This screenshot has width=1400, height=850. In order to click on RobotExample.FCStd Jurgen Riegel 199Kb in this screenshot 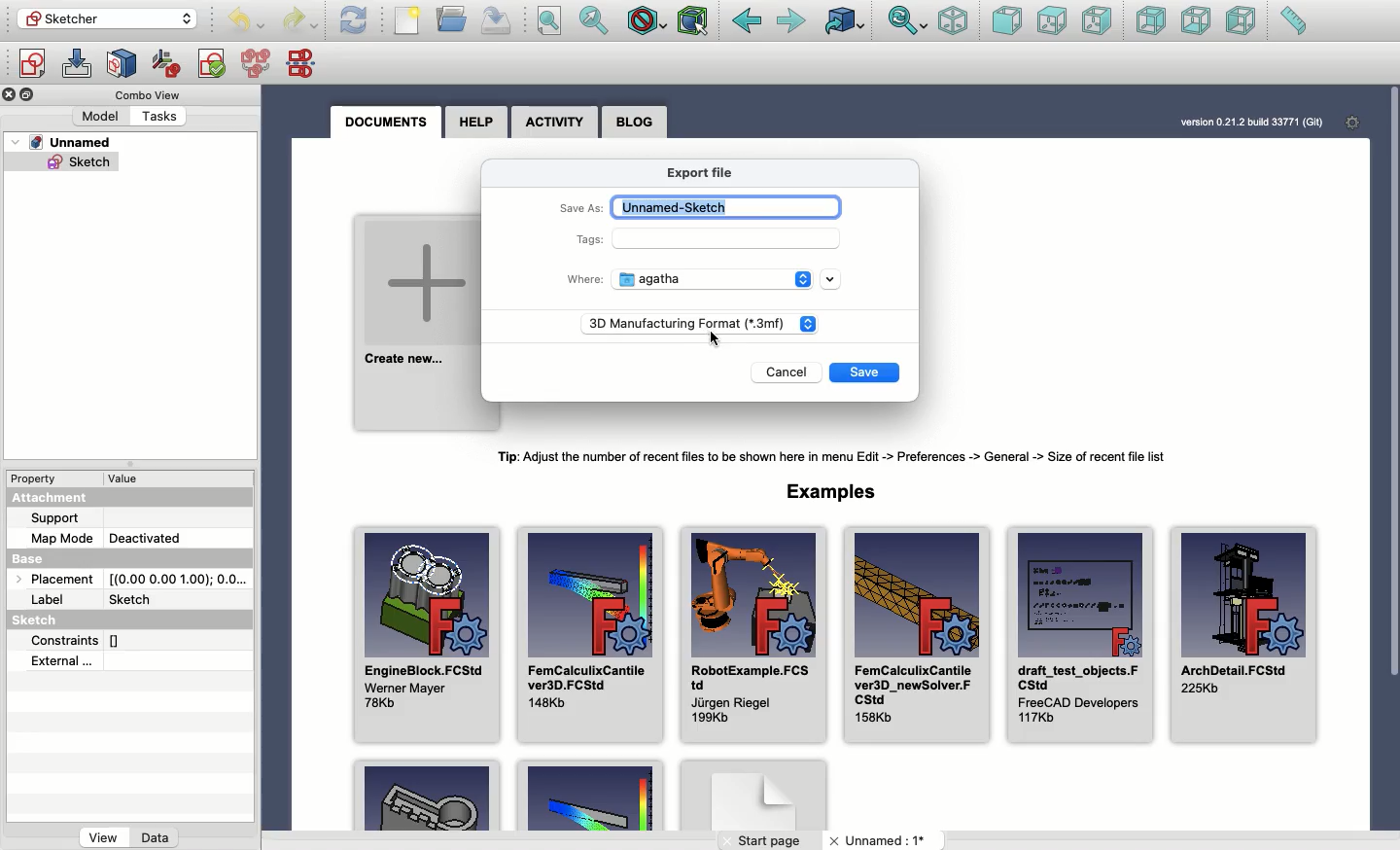, I will do `click(752, 633)`.